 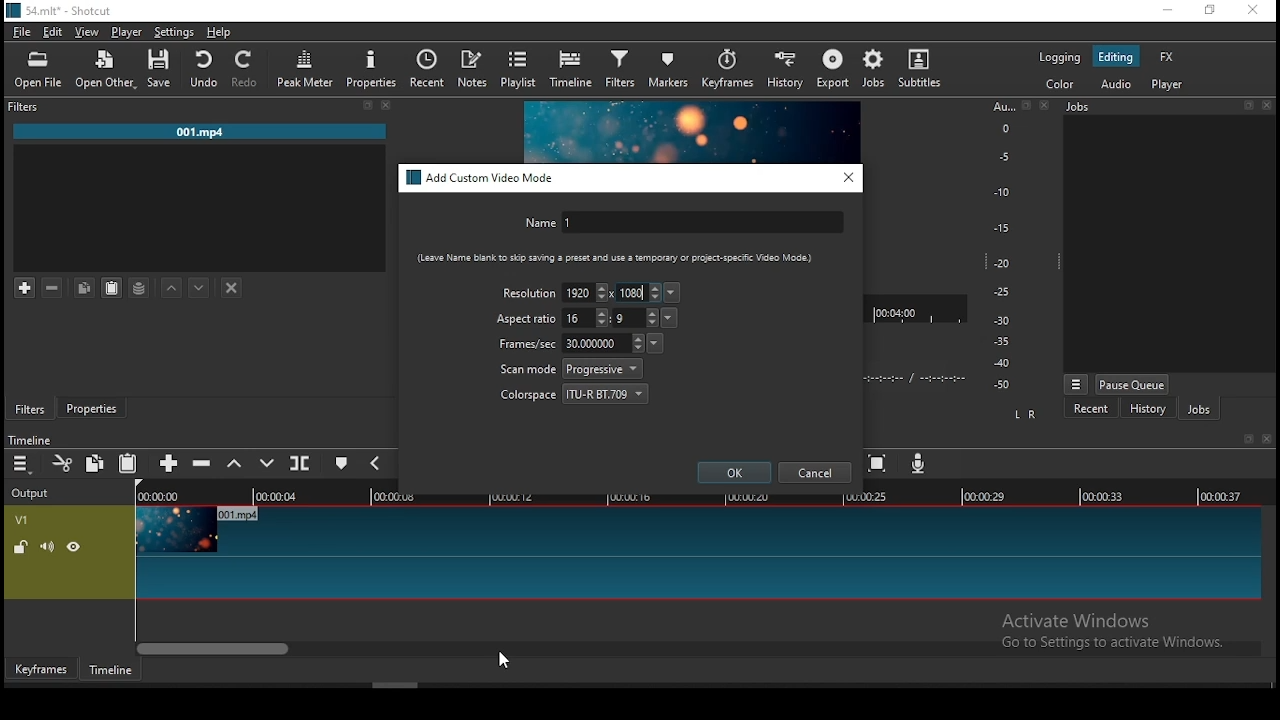 I want to click on L R, so click(x=1027, y=415).